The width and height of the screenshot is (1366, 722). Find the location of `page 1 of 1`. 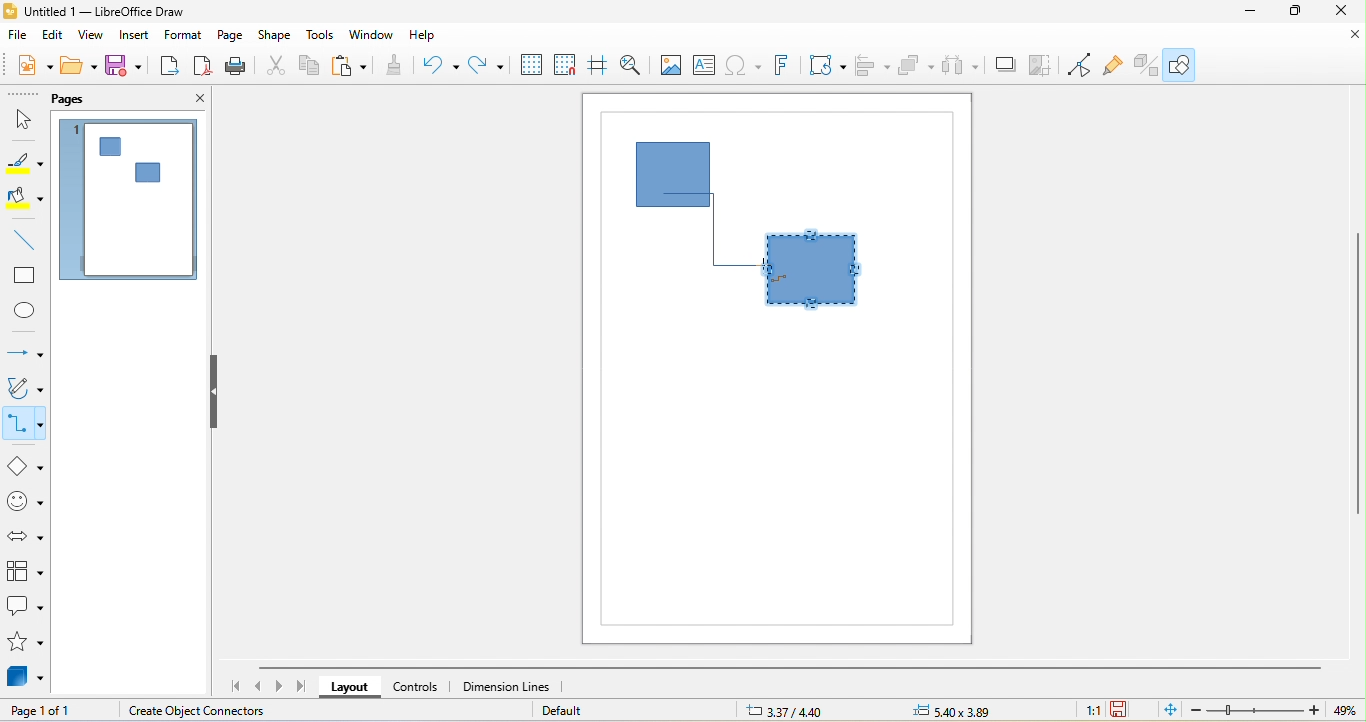

page 1 of 1 is located at coordinates (54, 709).